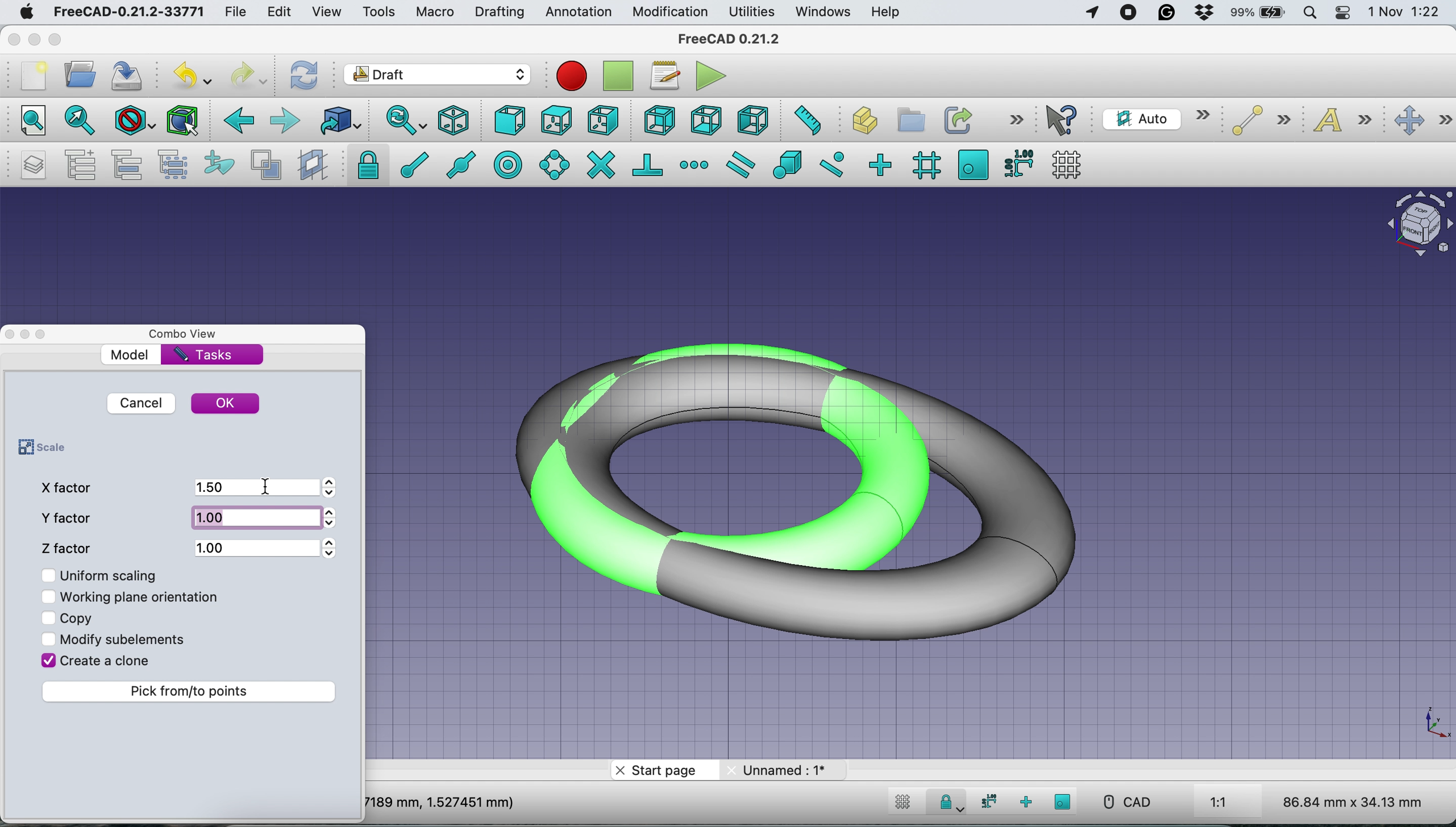 Image resolution: width=1456 pixels, height=827 pixels. I want to click on Switch between workbenches, so click(437, 76).